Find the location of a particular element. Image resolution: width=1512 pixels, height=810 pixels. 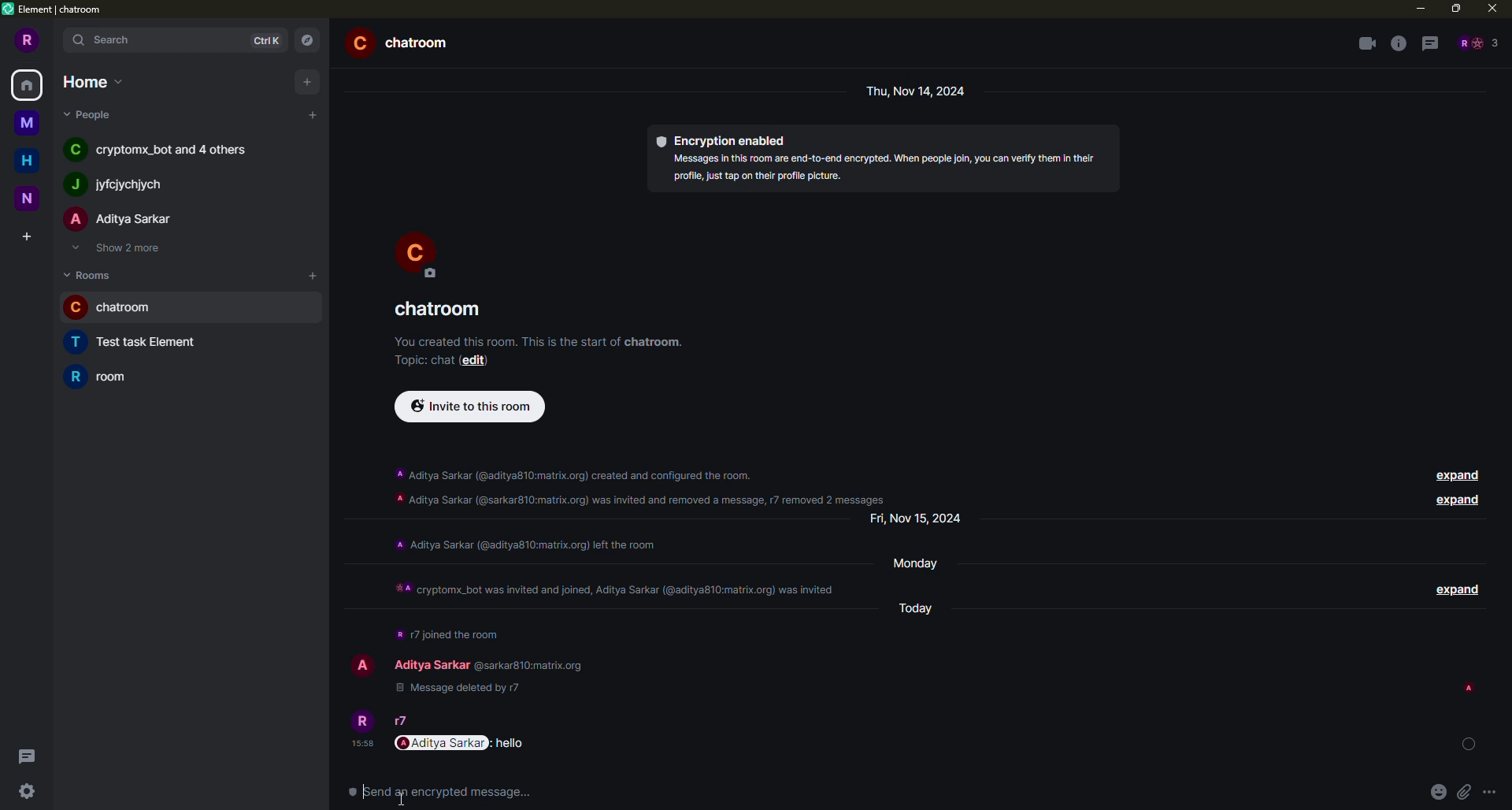

r7 is located at coordinates (400, 719).